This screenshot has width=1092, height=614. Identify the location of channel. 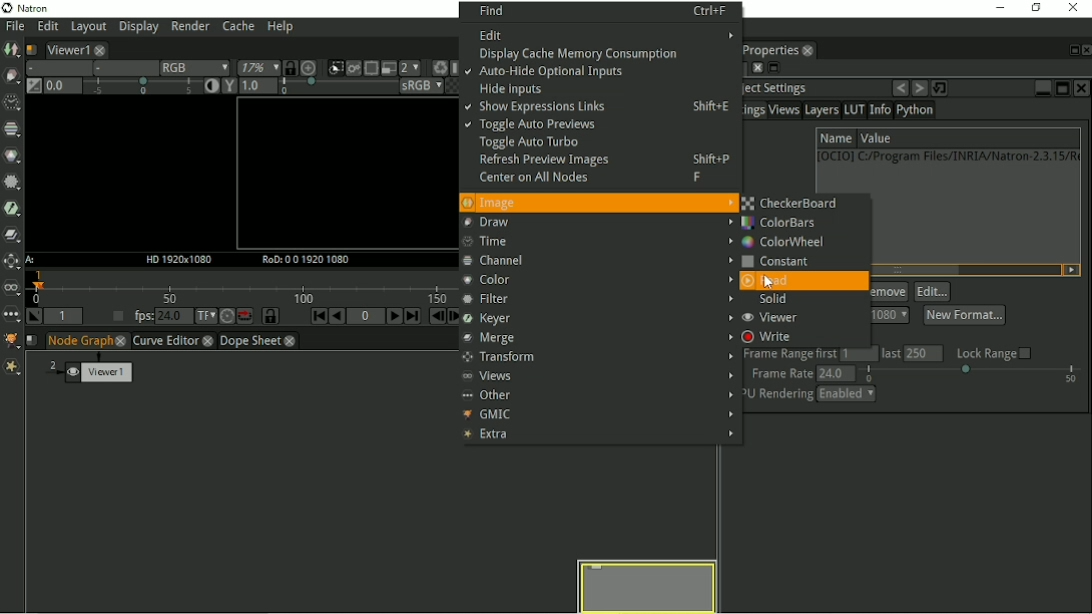
(595, 261).